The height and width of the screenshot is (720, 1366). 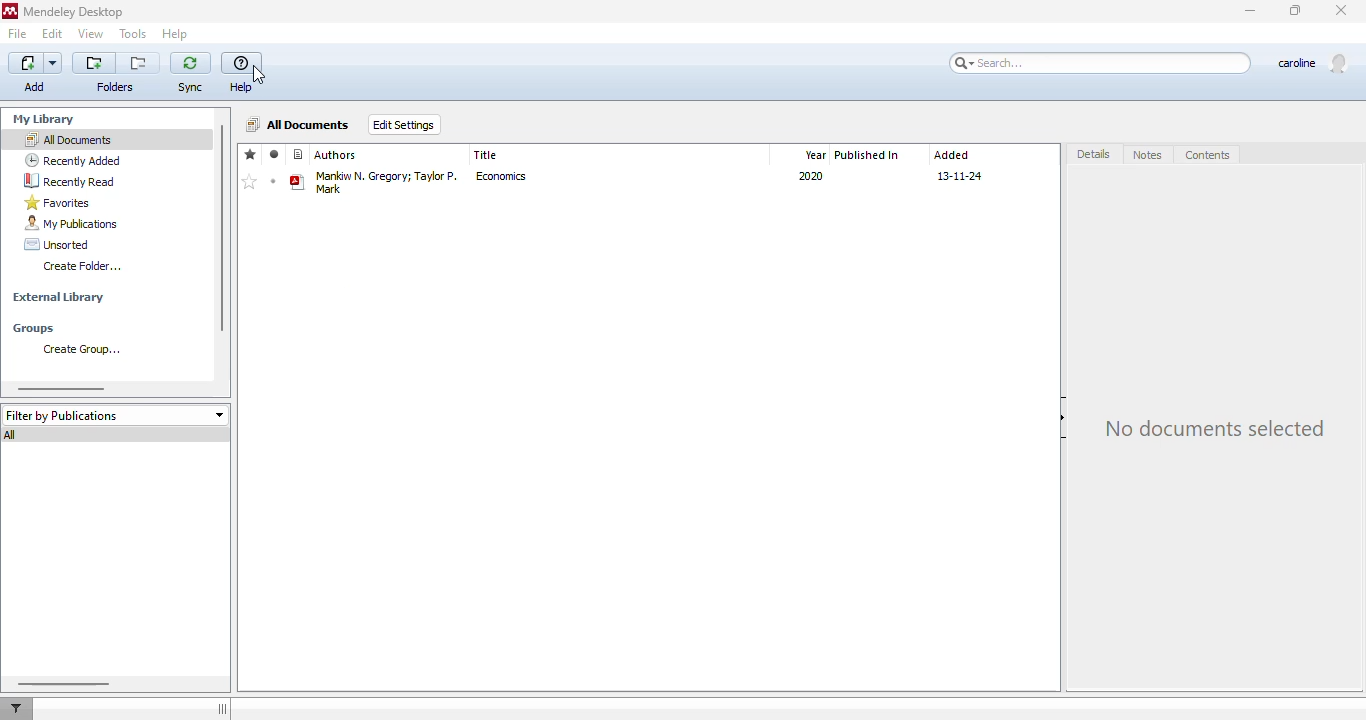 I want to click on 2020, so click(x=810, y=176).